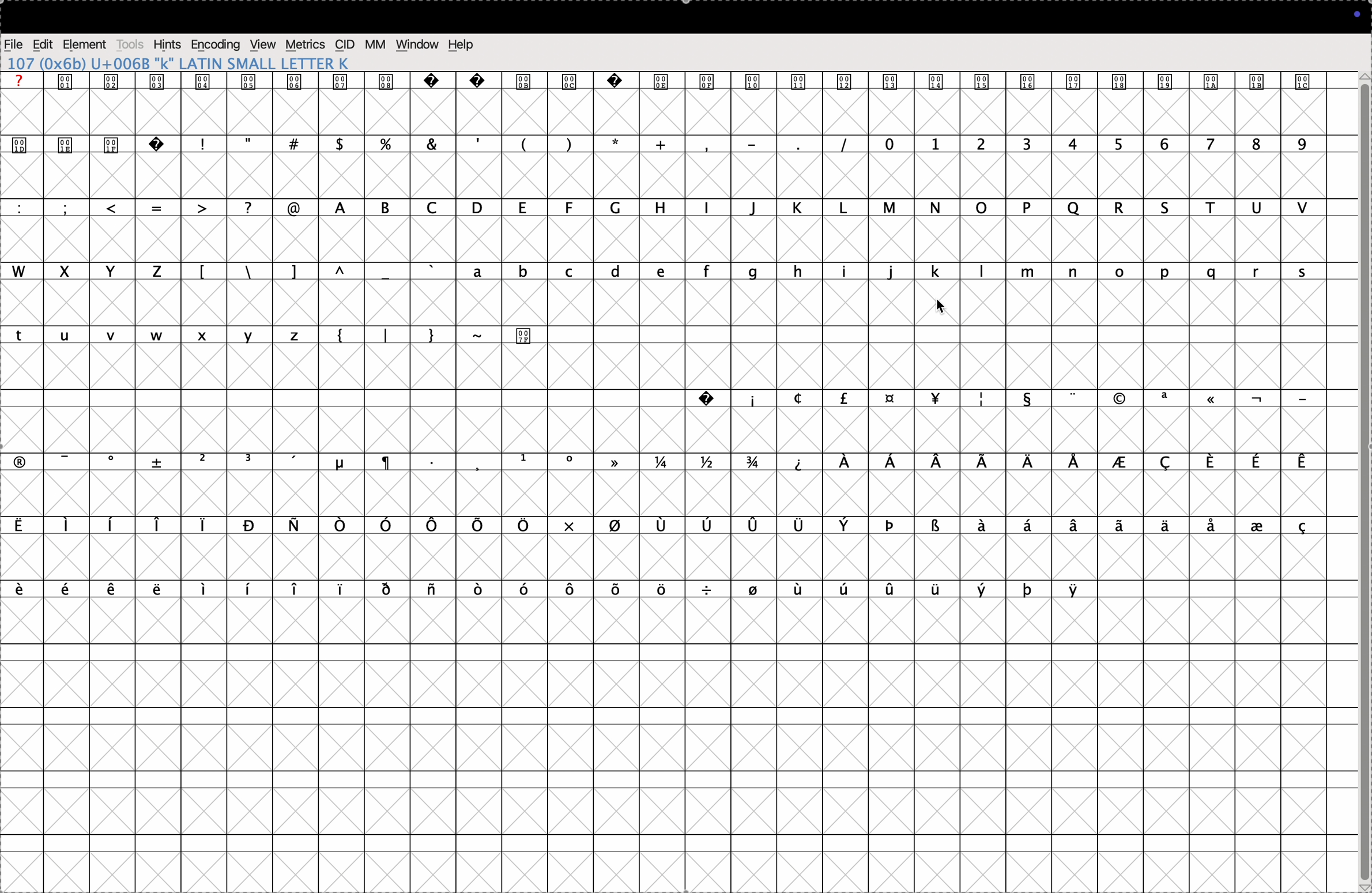 Image resolution: width=1372 pixels, height=893 pixels. I want to click on , so click(435, 209).